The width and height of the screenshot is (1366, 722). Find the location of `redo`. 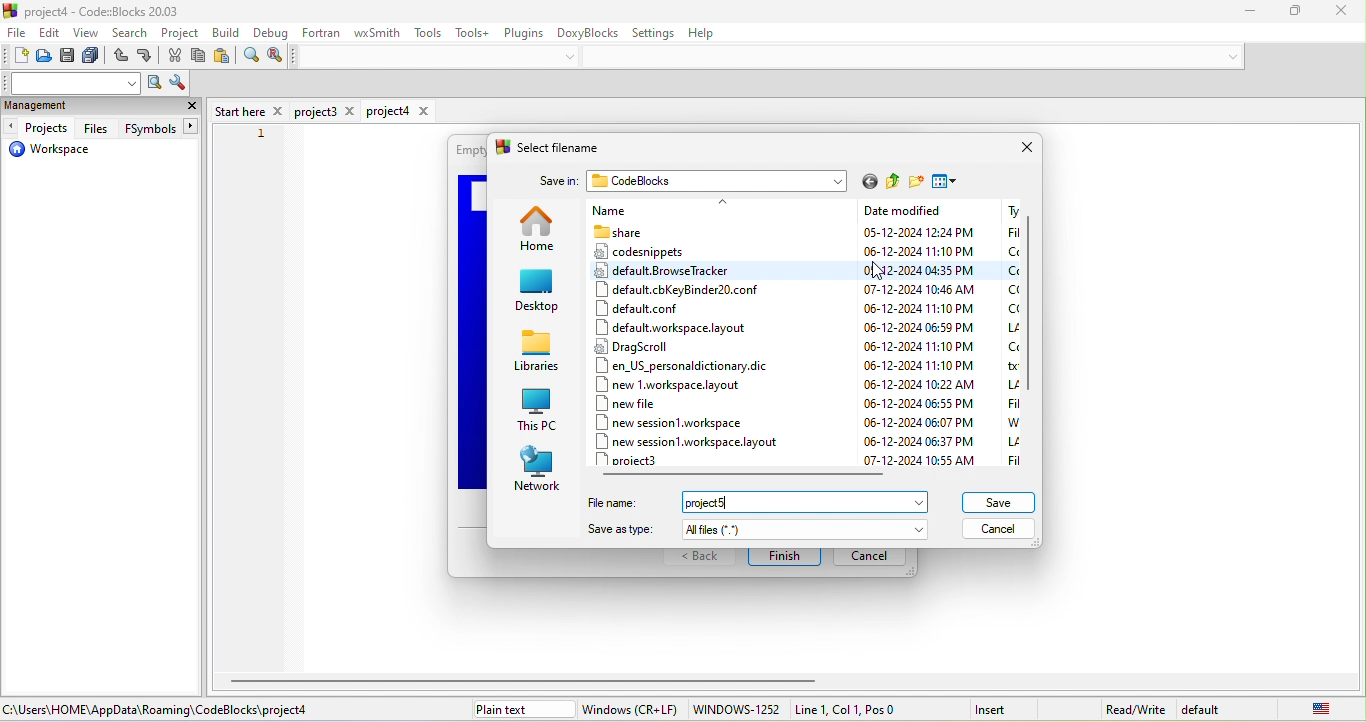

redo is located at coordinates (147, 58).